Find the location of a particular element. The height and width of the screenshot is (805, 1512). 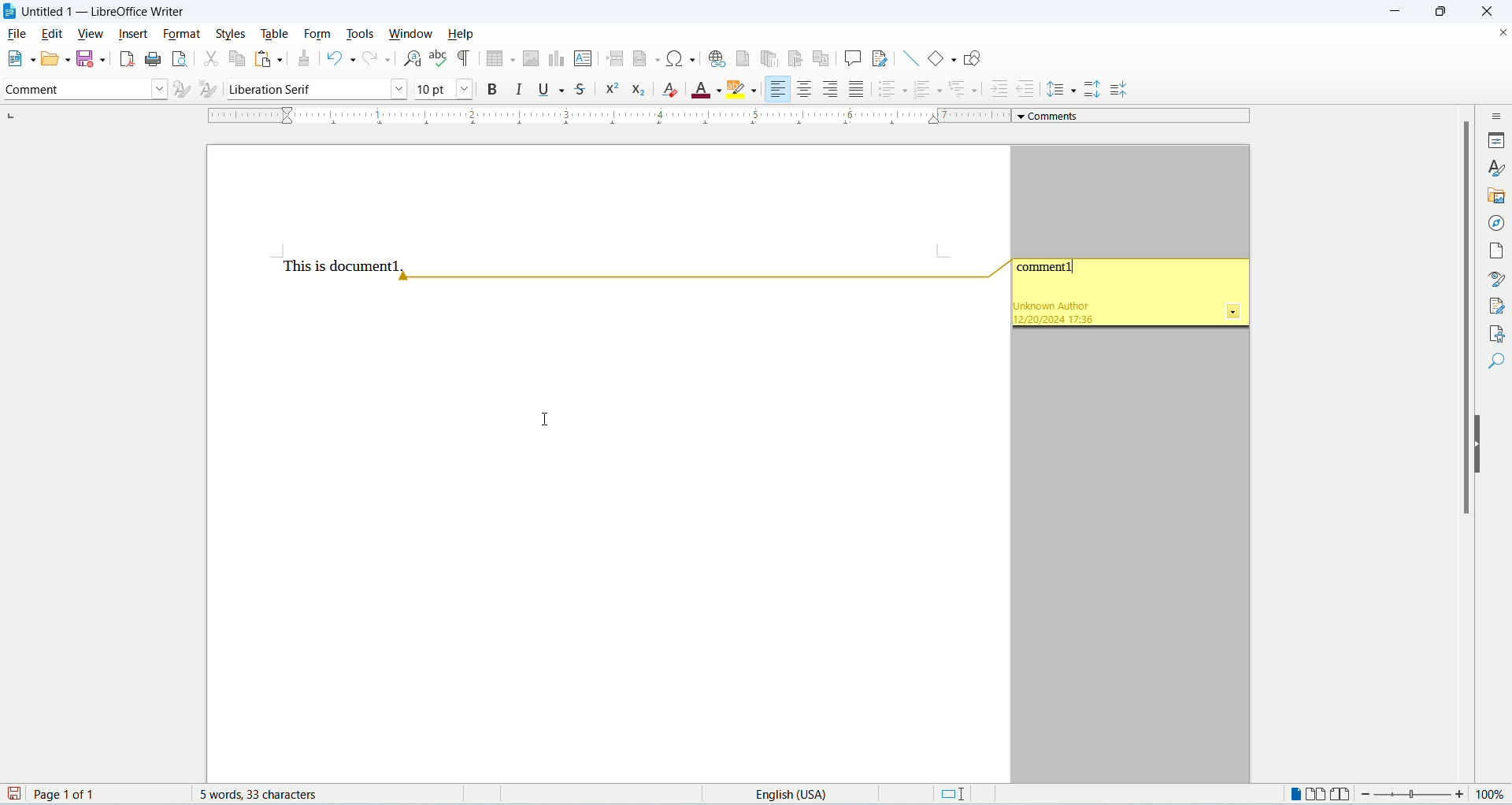

font name is located at coordinates (314, 88).